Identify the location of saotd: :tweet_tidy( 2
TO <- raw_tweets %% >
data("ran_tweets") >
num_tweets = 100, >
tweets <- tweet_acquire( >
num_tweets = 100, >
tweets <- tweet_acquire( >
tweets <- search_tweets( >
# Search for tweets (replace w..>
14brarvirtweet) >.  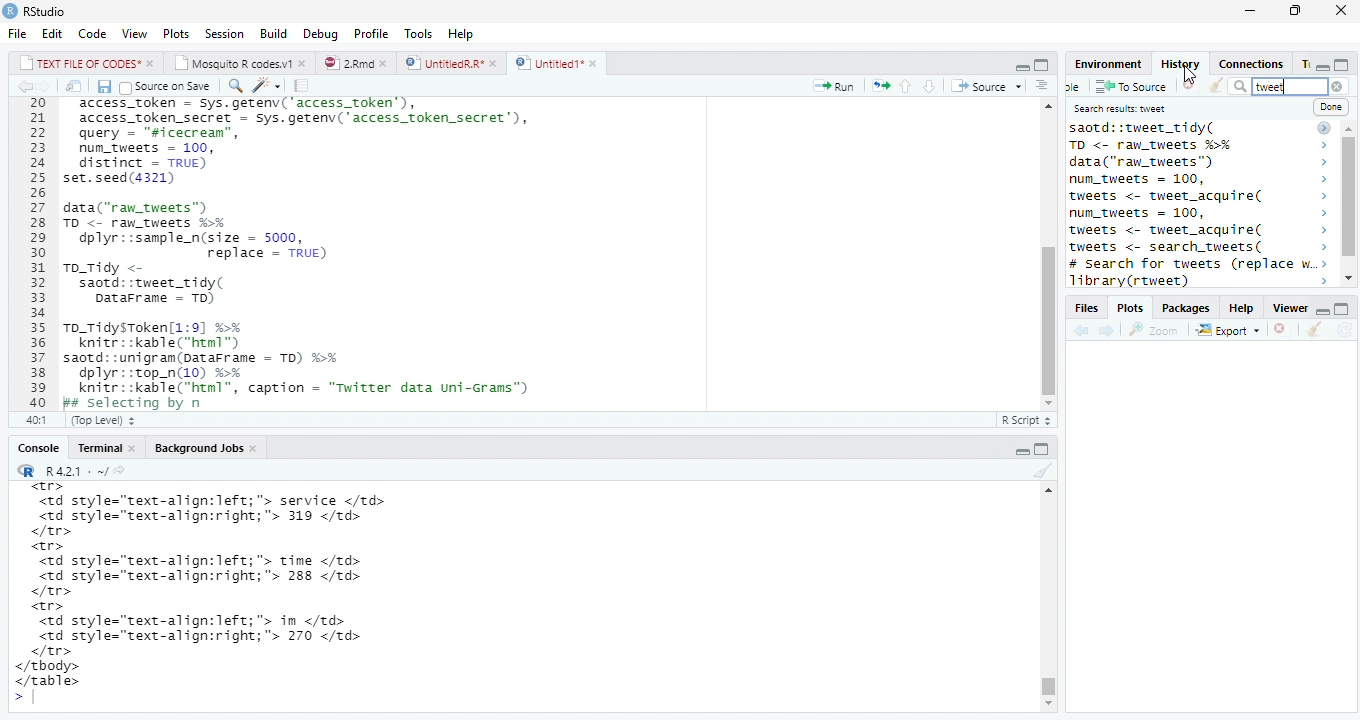
(1199, 203).